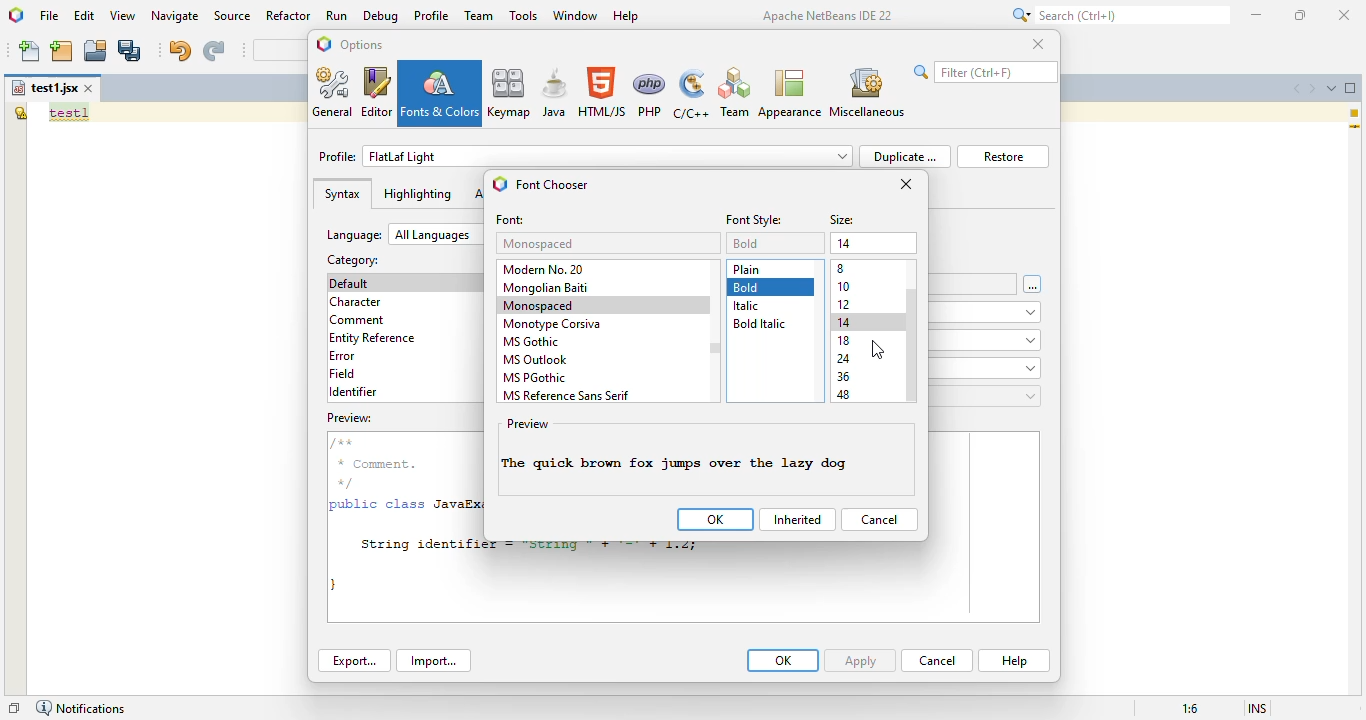  Describe the element at coordinates (986, 72) in the screenshot. I see `search` at that location.